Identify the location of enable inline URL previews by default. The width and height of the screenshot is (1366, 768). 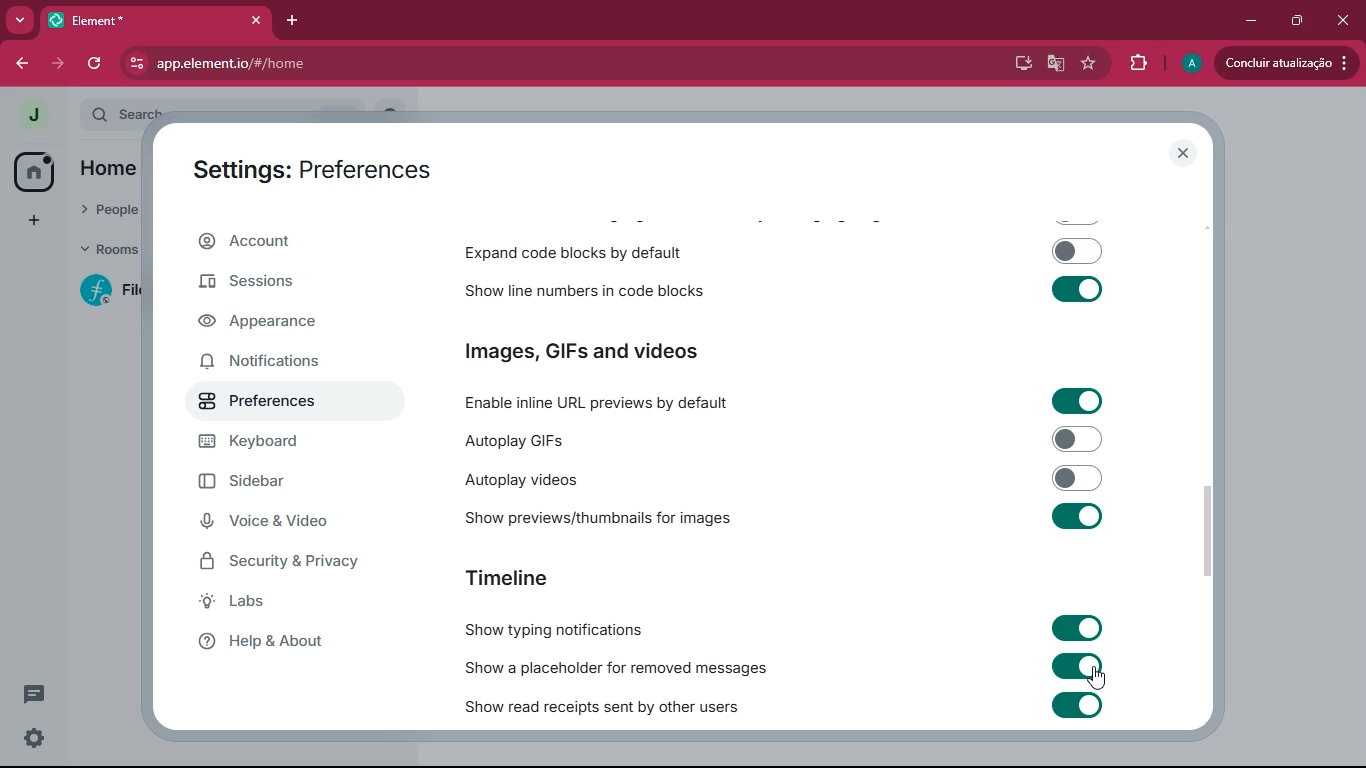
(628, 402).